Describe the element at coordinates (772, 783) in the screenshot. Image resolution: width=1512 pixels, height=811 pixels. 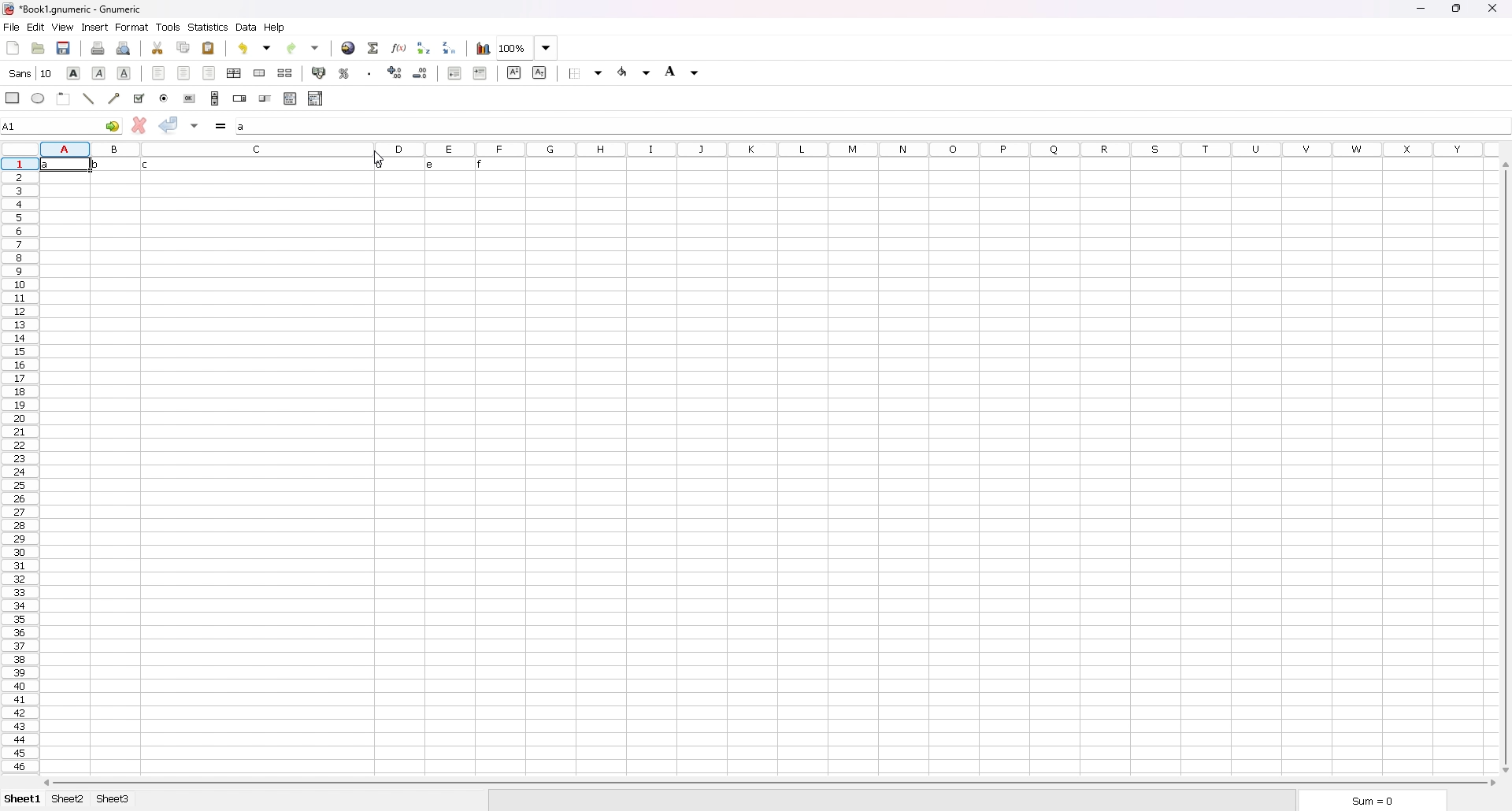
I see `scroll bar` at that location.